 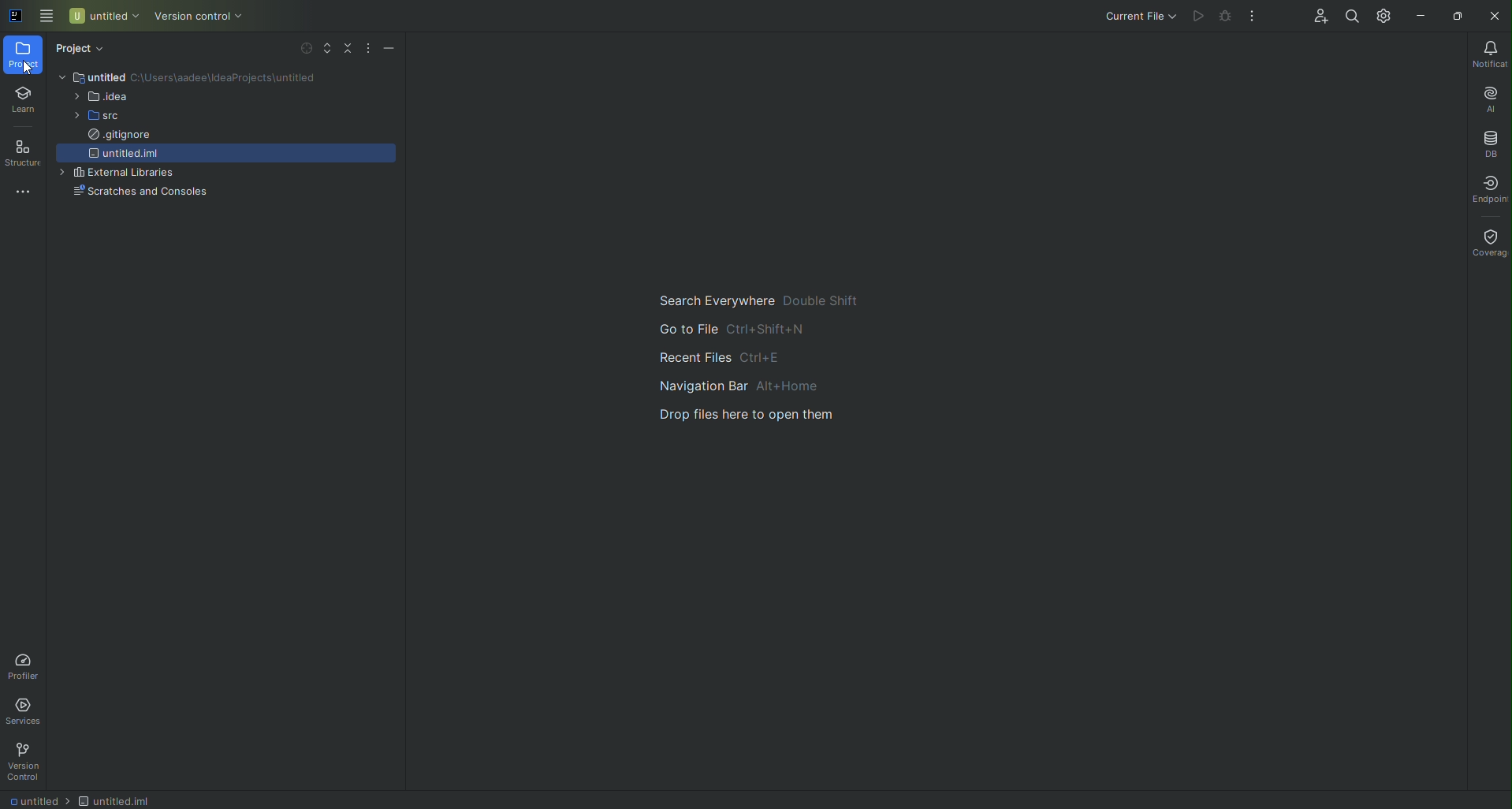 What do you see at coordinates (1458, 15) in the screenshot?
I see `Restore` at bounding box center [1458, 15].